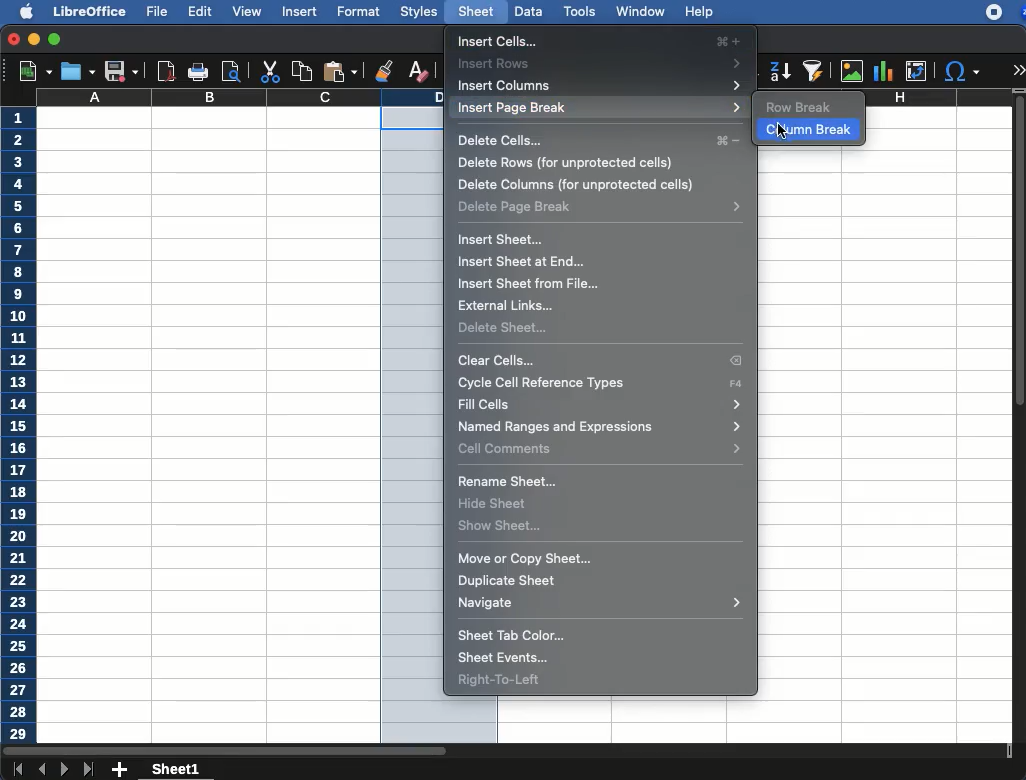 The height and width of the screenshot is (780, 1026). What do you see at coordinates (994, 12) in the screenshot?
I see `recording - extension` at bounding box center [994, 12].